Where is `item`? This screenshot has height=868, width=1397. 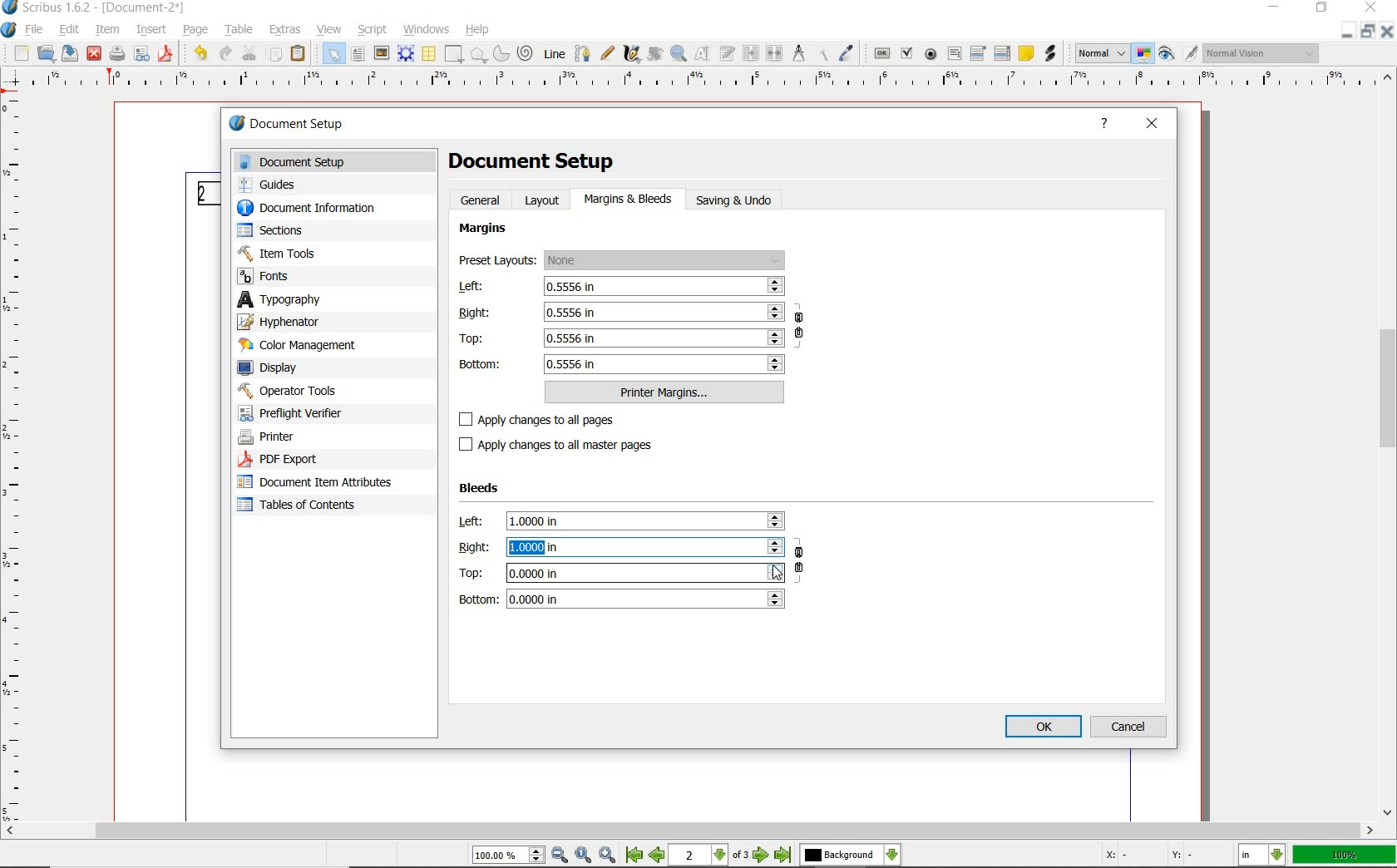
item is located at coordinates (107, 30).